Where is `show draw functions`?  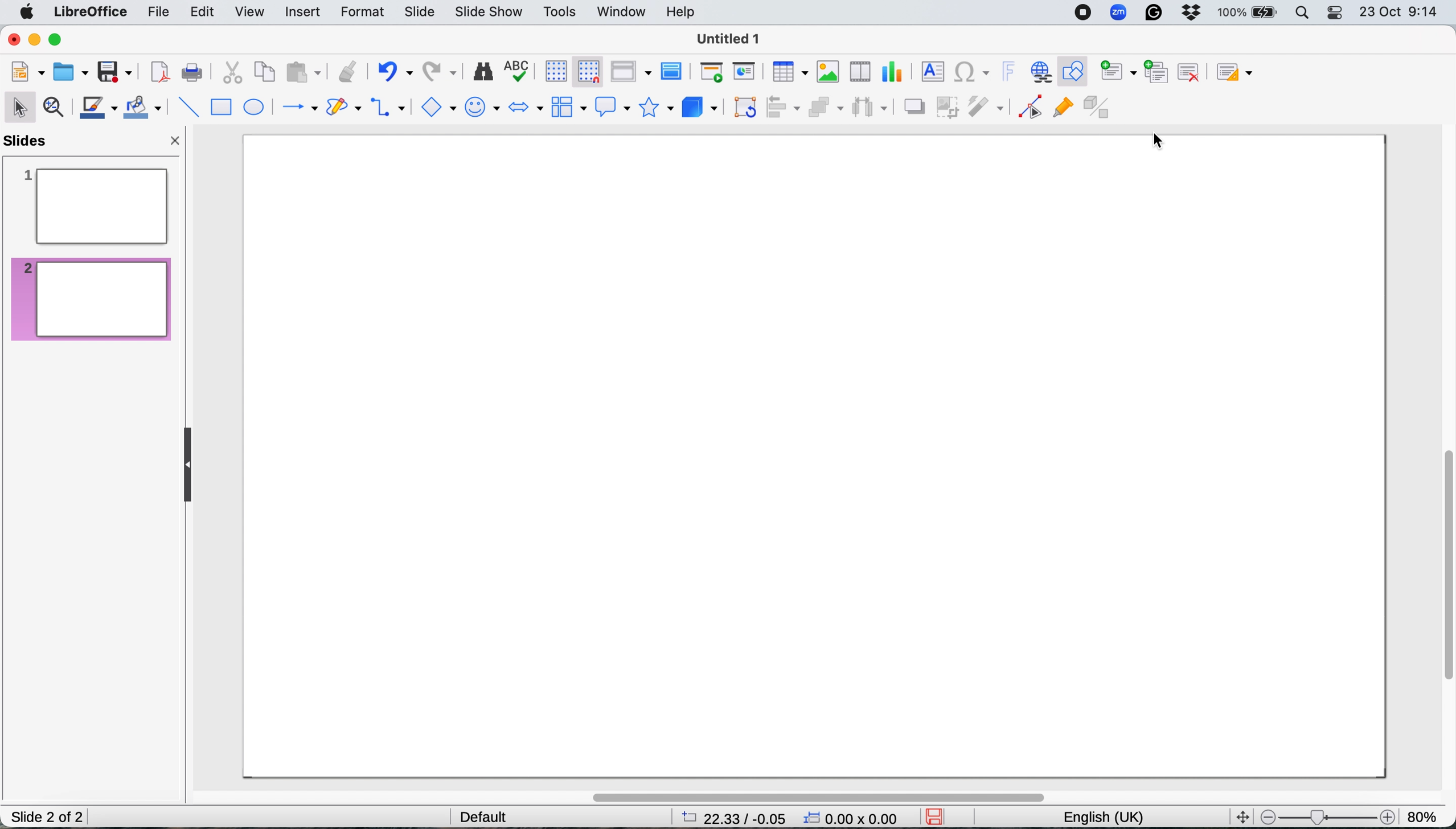
show draw functions is located at coordinates (1073, 69).